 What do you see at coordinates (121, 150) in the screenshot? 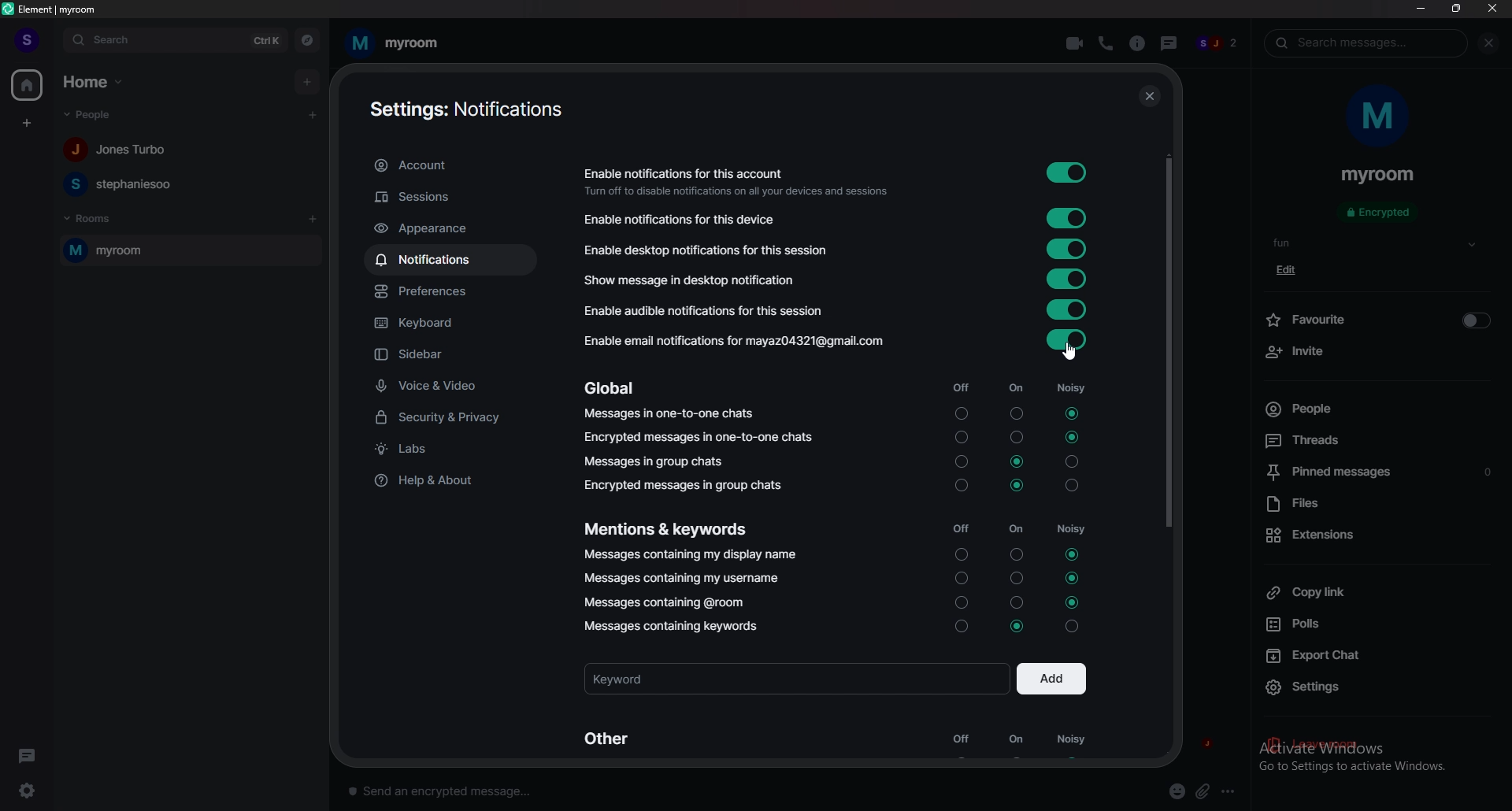
I see `people` at bounding box center [121, 150].